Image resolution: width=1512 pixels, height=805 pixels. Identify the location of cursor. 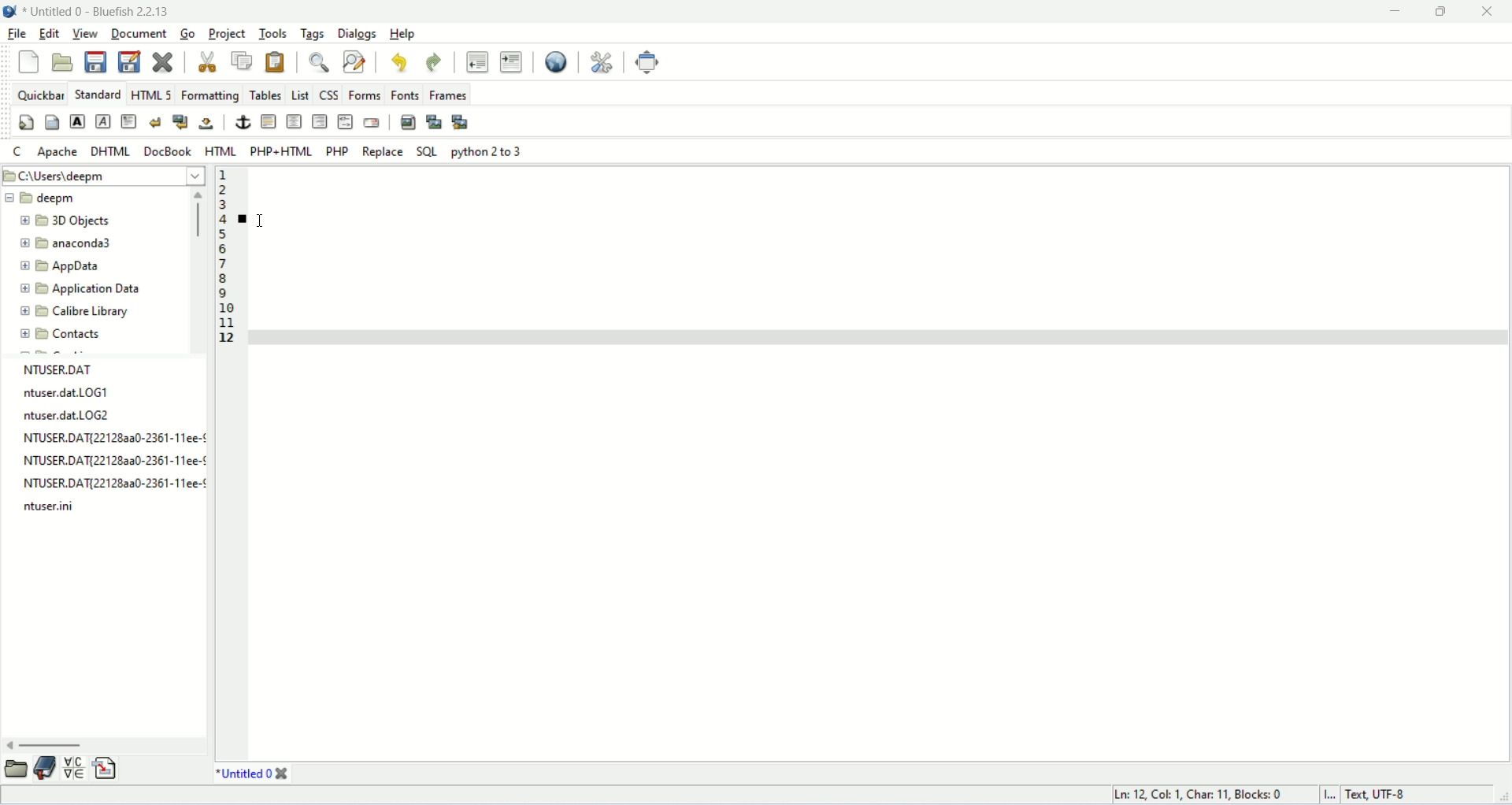
(261, 222).